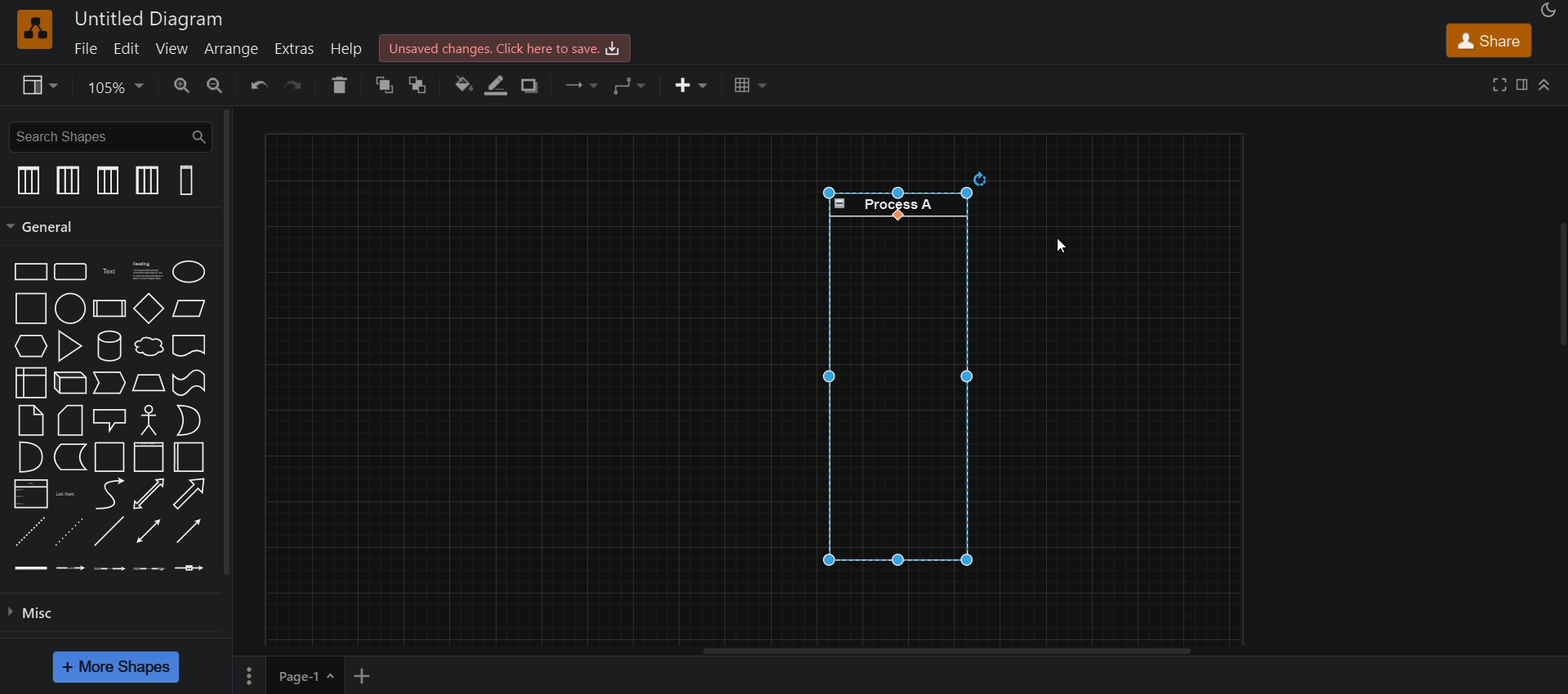 This screenshot has width=1568, height=694. I want to click on fill color, so click(461, 85).